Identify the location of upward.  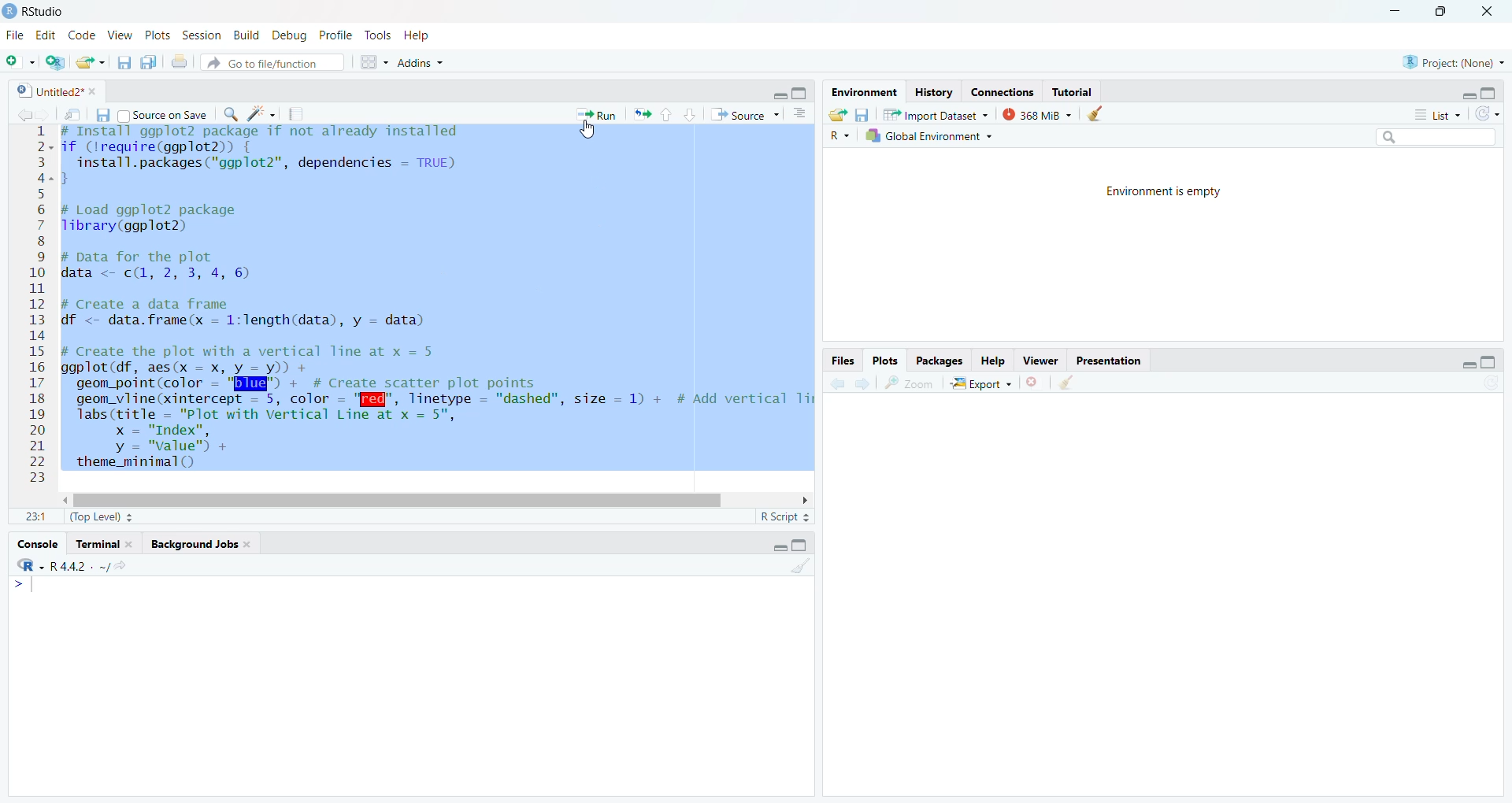
(665, 117).